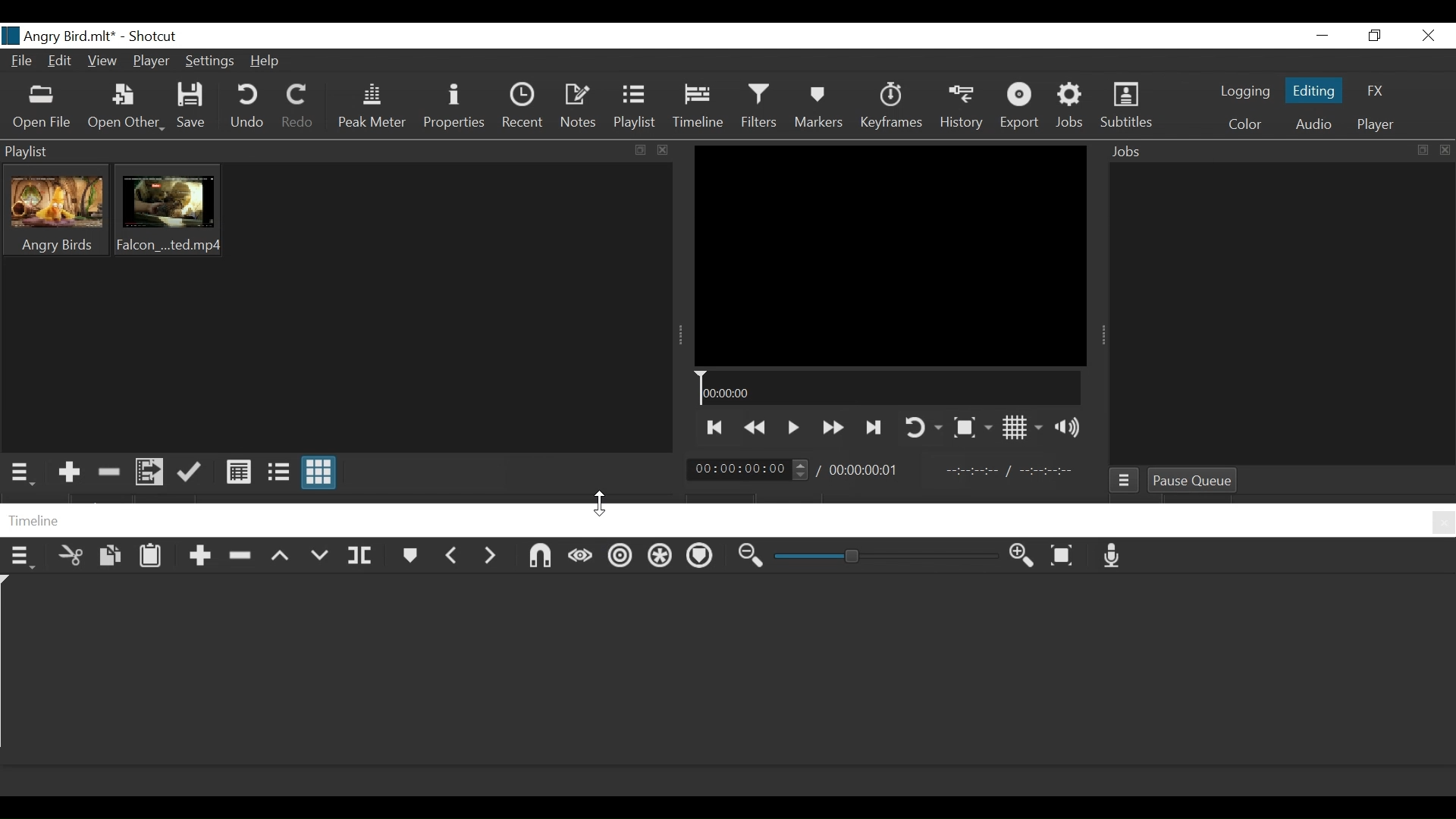 This screenshot has height=819, width=1456. What do you see at coordinates (1312, 125) in the screenshot?
I see `Audio` at bounding box center [1312, 125].